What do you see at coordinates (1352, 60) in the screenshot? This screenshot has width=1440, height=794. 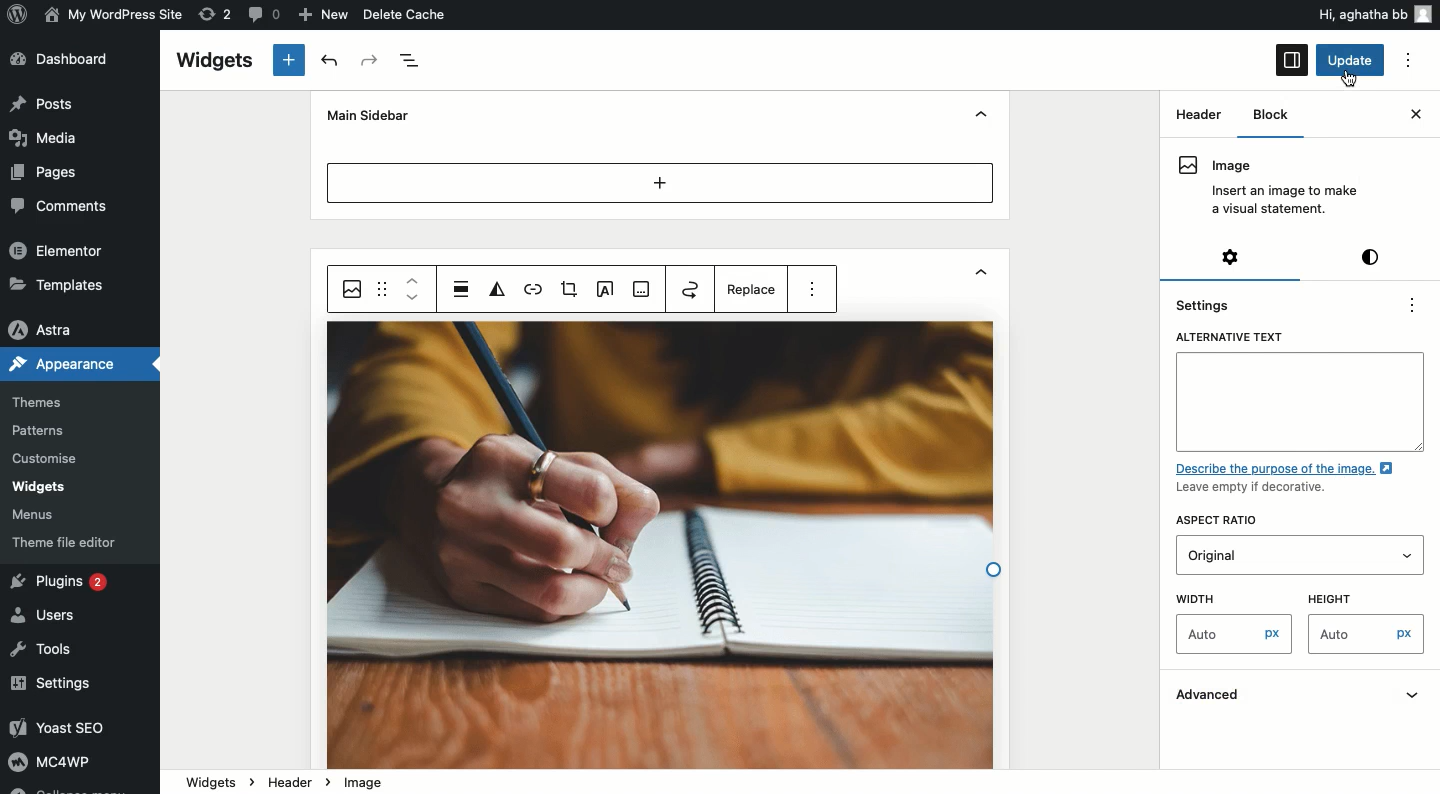 I see `Update` at bounding box center [1352, 60].